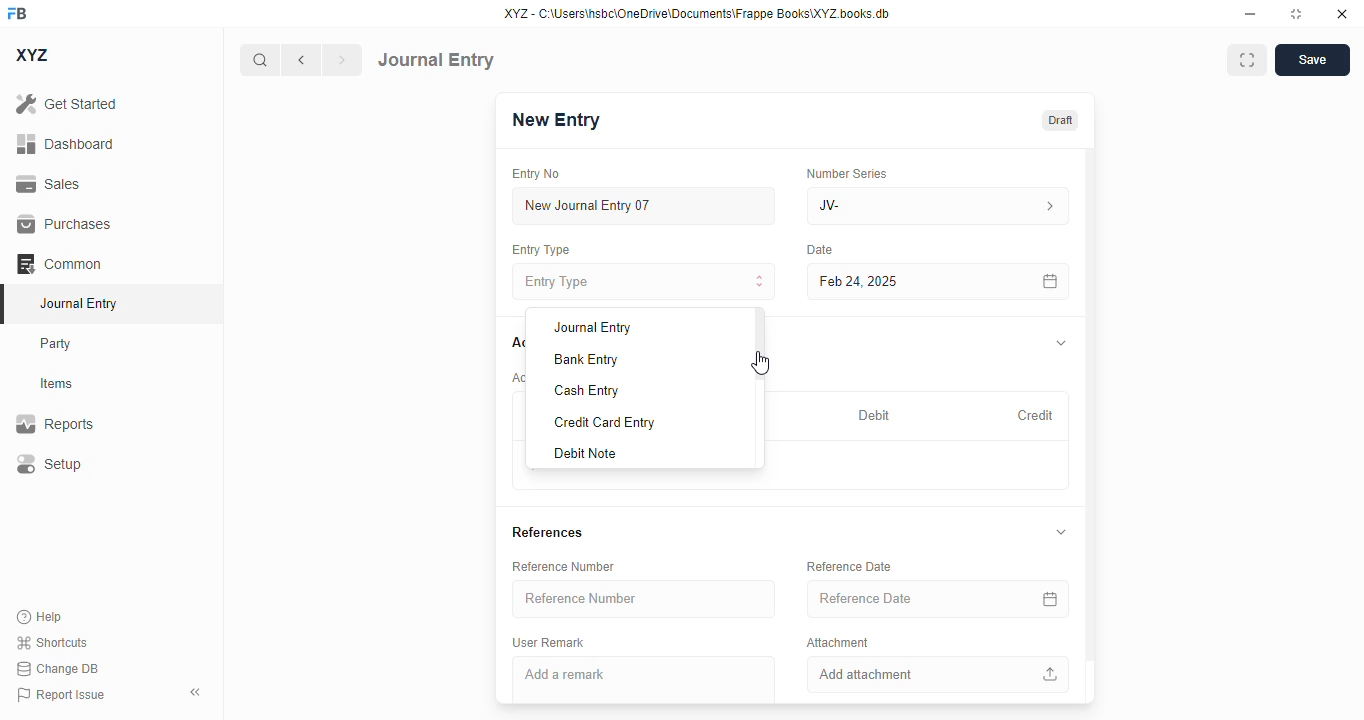  I want to click on toggle maximize, so click(1296, 14).